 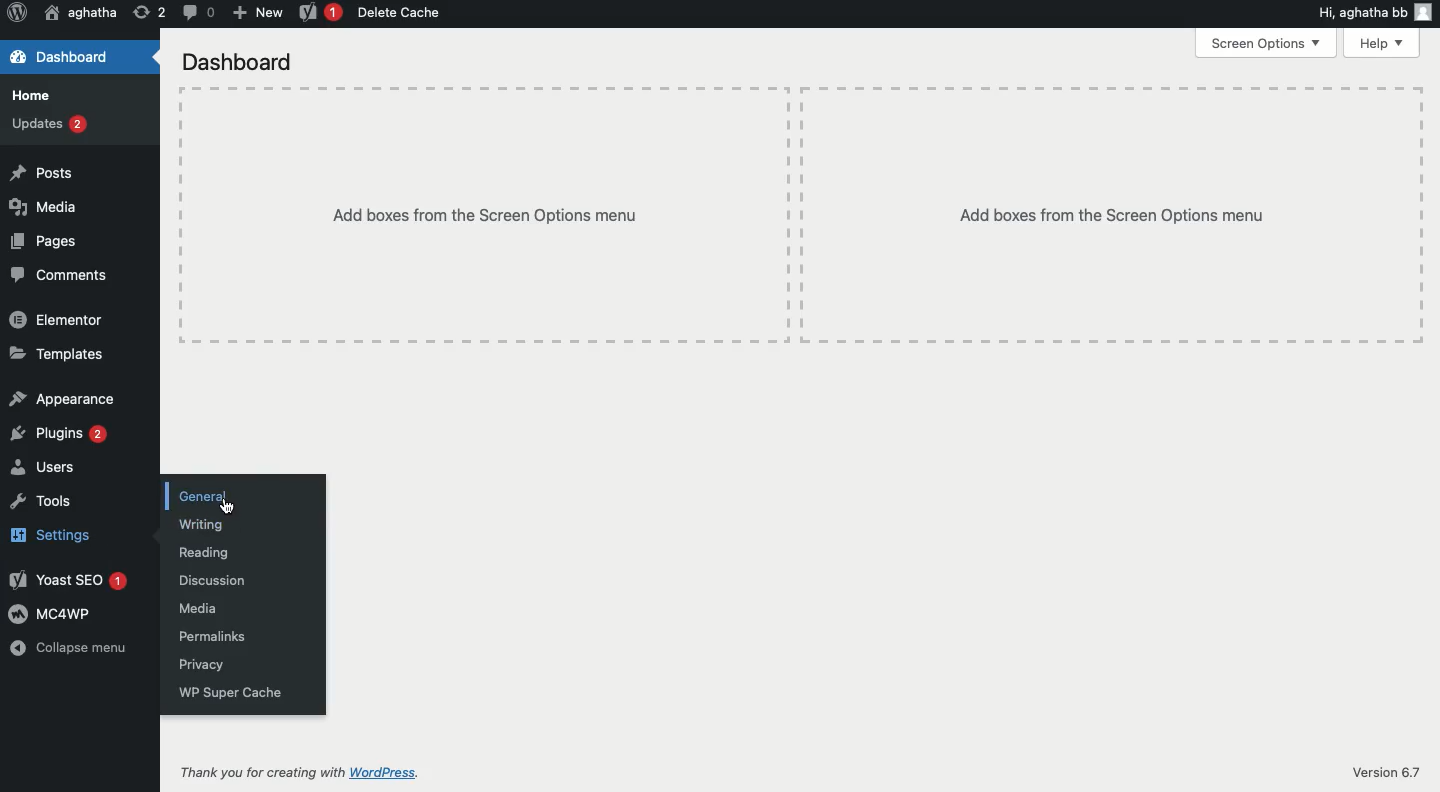 What do you see at coordinates (211, 638) in the screenshot?
I see `Permalinks` at bounding box center [211, 638].